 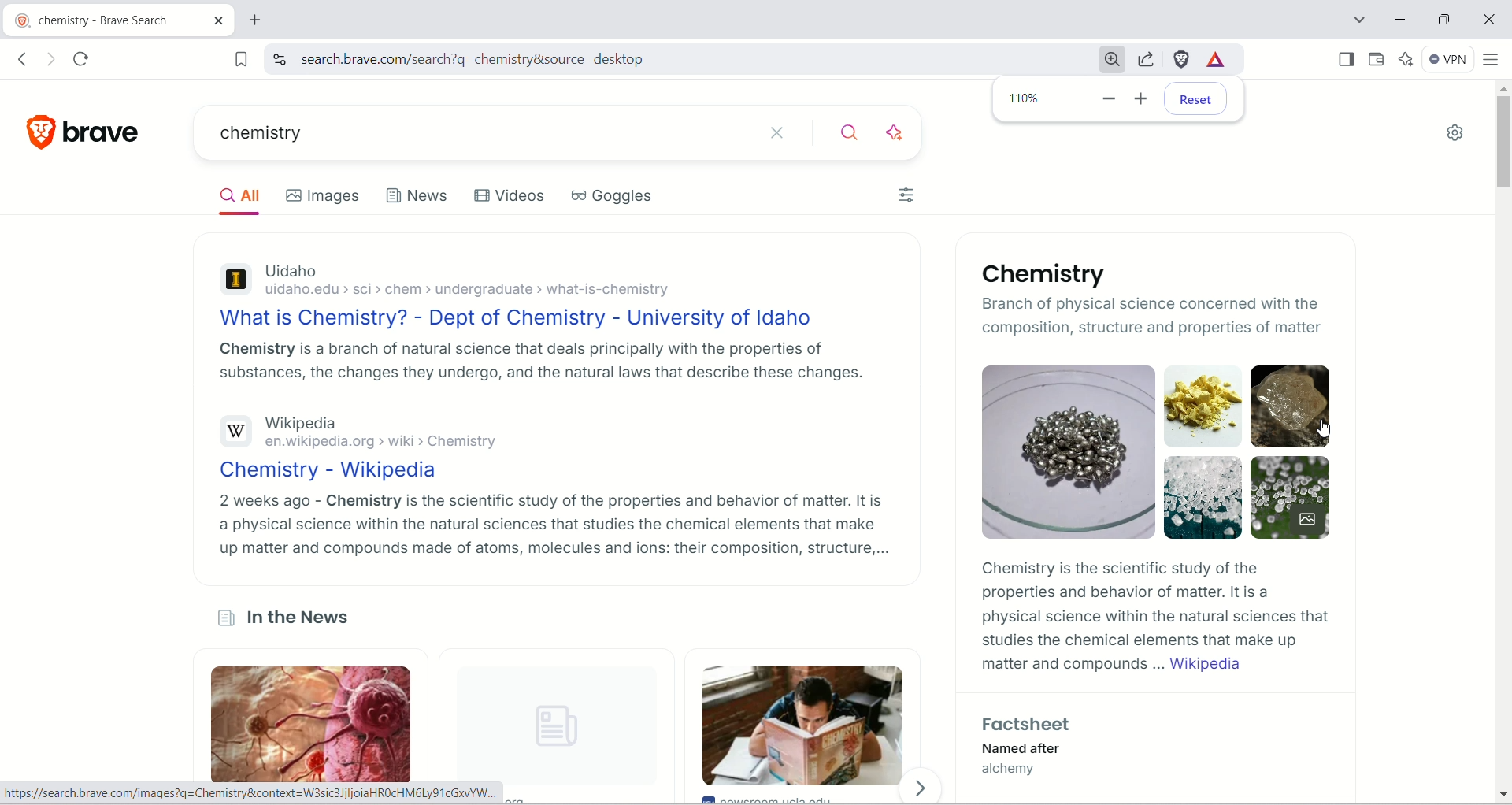 What do you see at coordinates (311, 723) in the screenshot?
I see `lungs image` at bounding box center [311, 723].